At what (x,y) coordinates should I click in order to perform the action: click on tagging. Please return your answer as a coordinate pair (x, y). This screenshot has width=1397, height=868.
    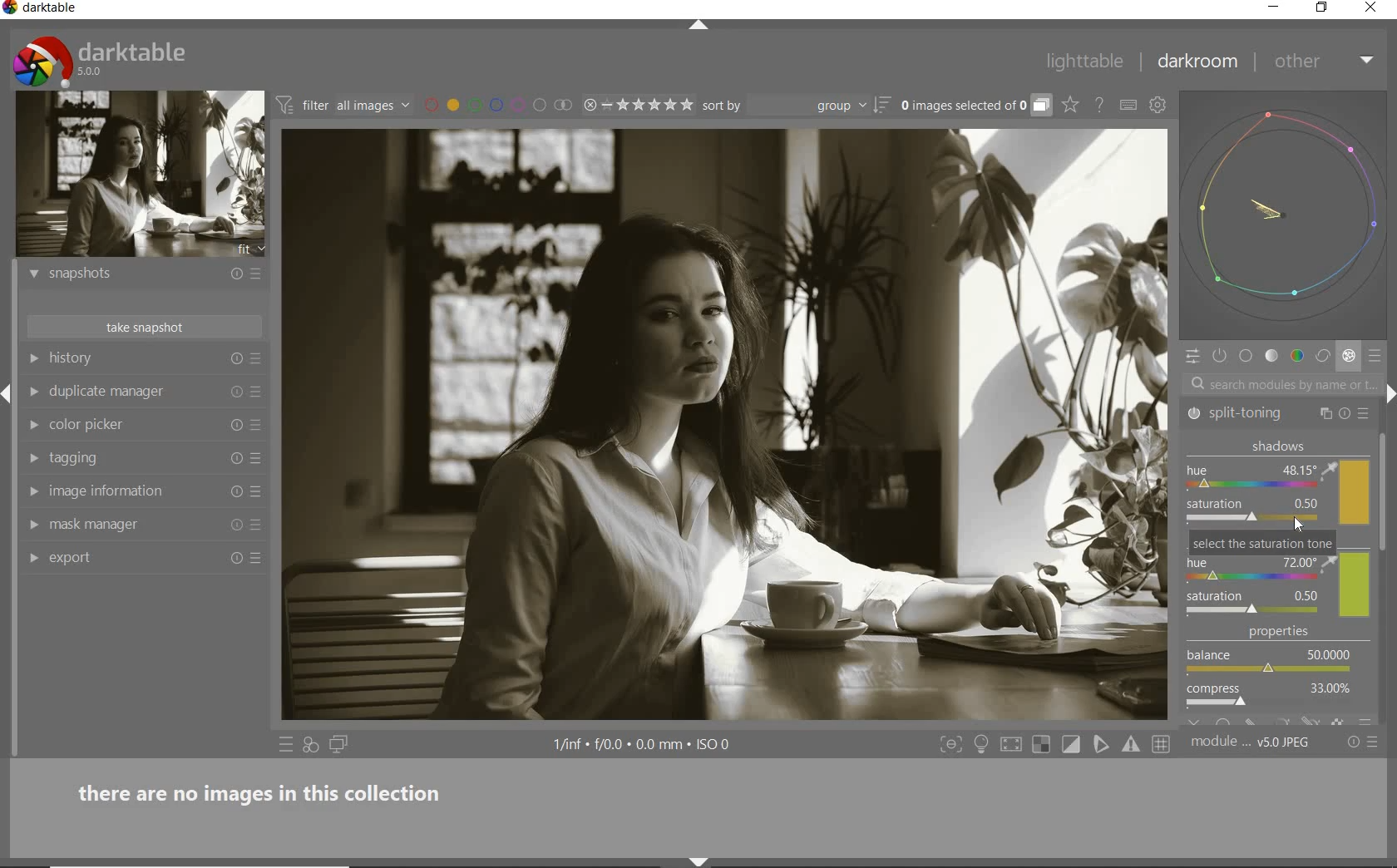
    Looking at the image, I should click on (131, 458).